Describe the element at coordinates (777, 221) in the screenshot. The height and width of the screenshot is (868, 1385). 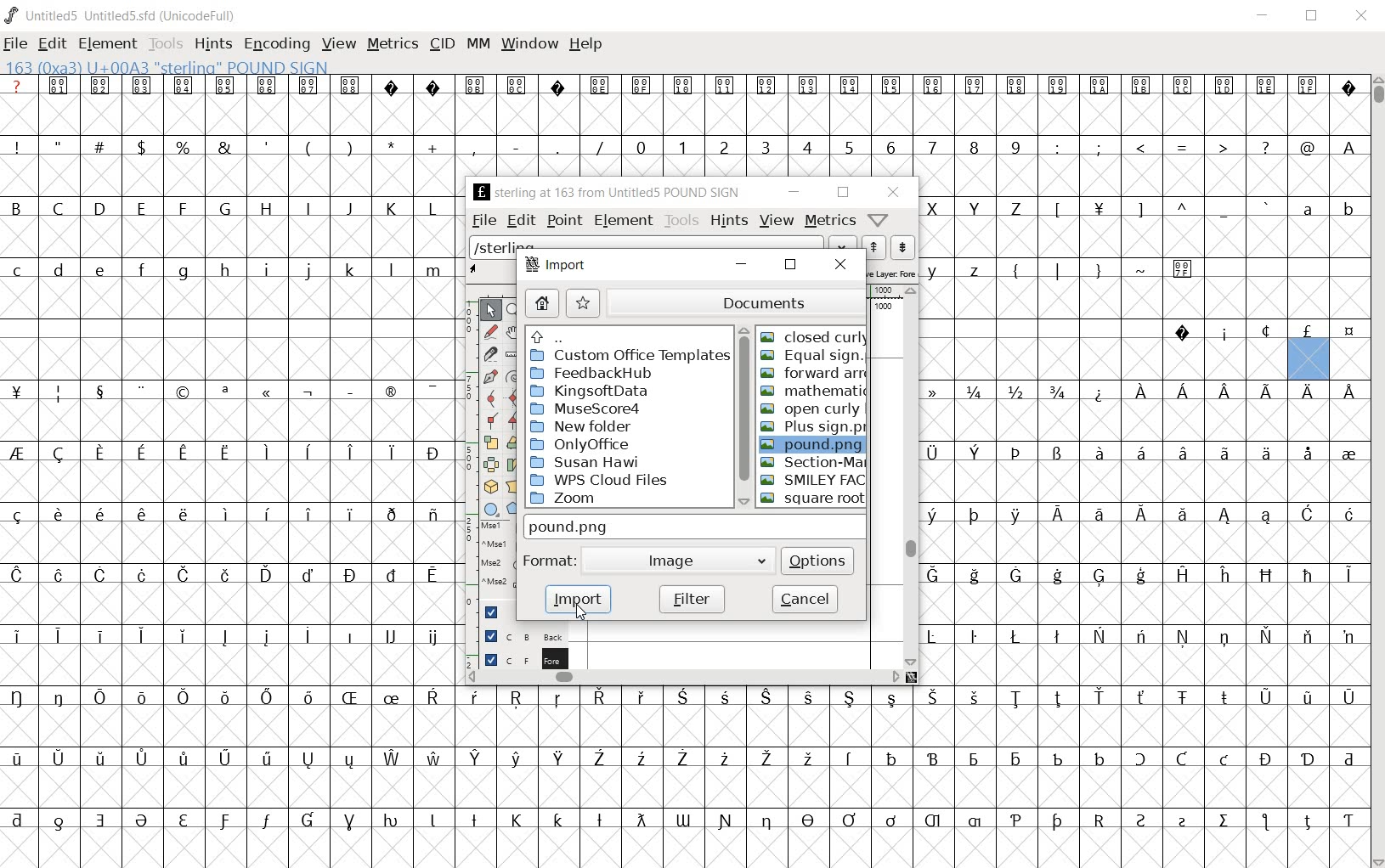
I see `view` at that location.